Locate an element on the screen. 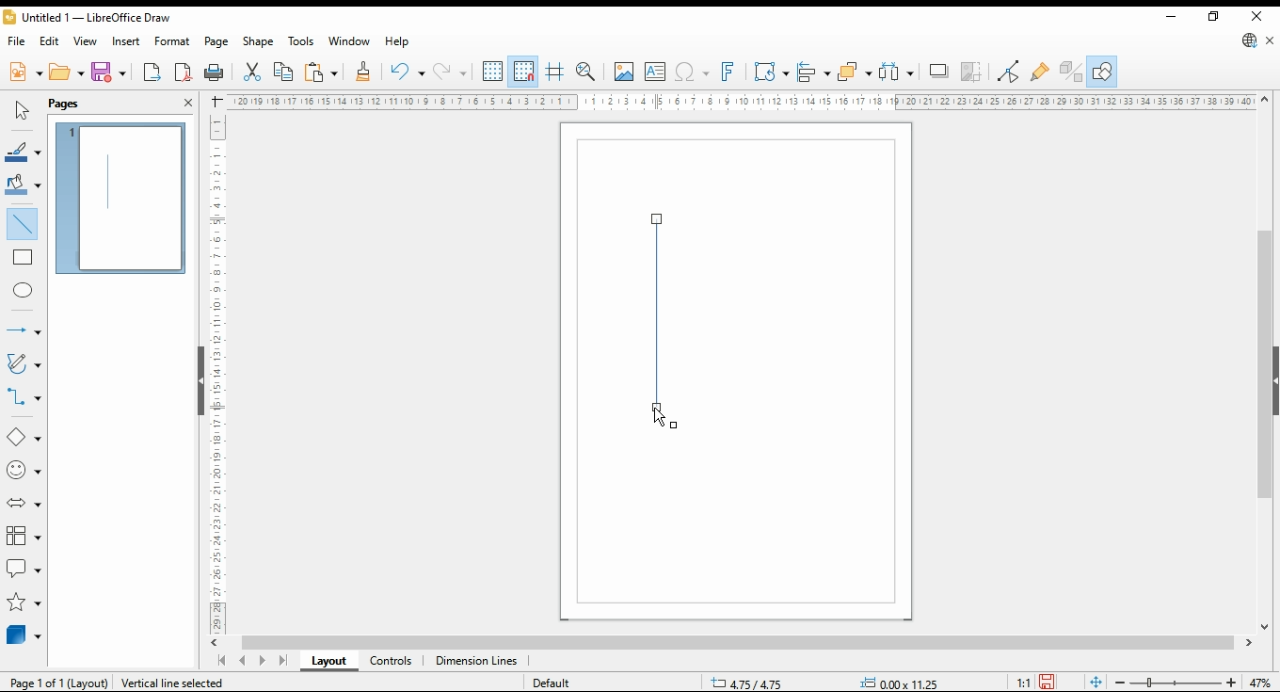 Image resolution: width=1280 pixels, height=692 pixels. flowchart is located at coordinates (24, 537).